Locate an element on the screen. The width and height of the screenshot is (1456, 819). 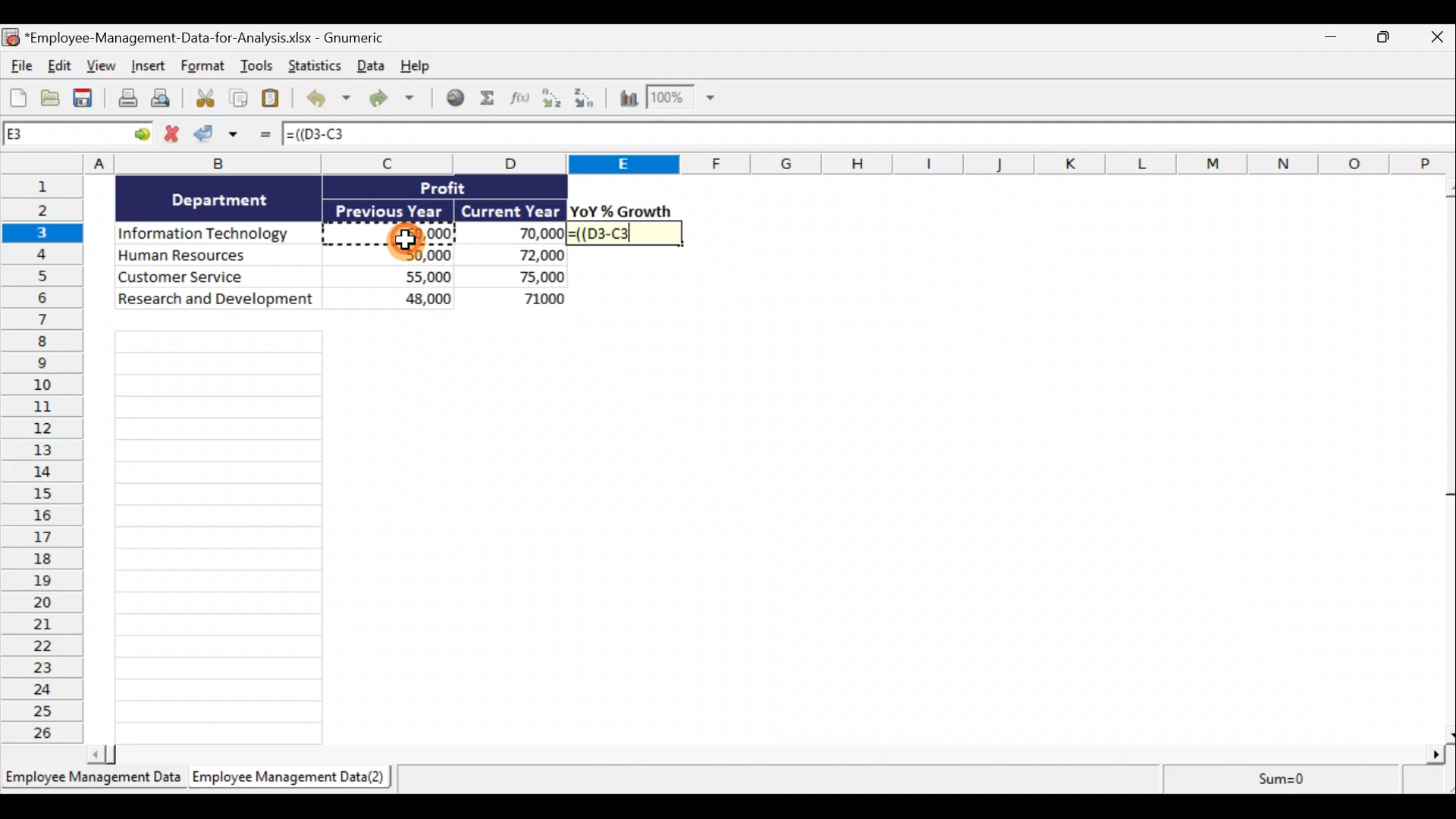
Statistics is located at coordinates (312, 66).